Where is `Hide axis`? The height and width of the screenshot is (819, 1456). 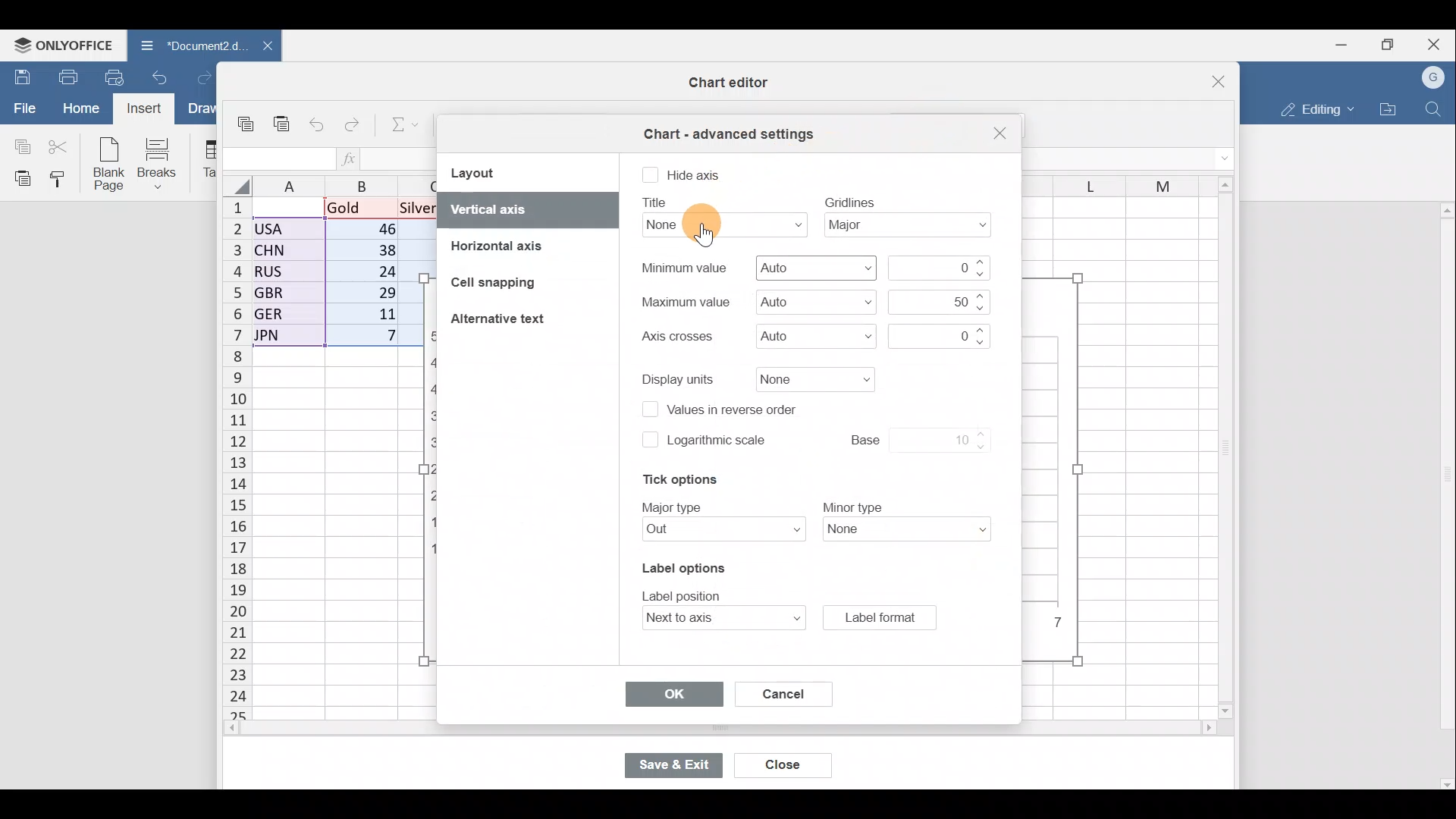 Hide axis is located at coordinates (696, 176).